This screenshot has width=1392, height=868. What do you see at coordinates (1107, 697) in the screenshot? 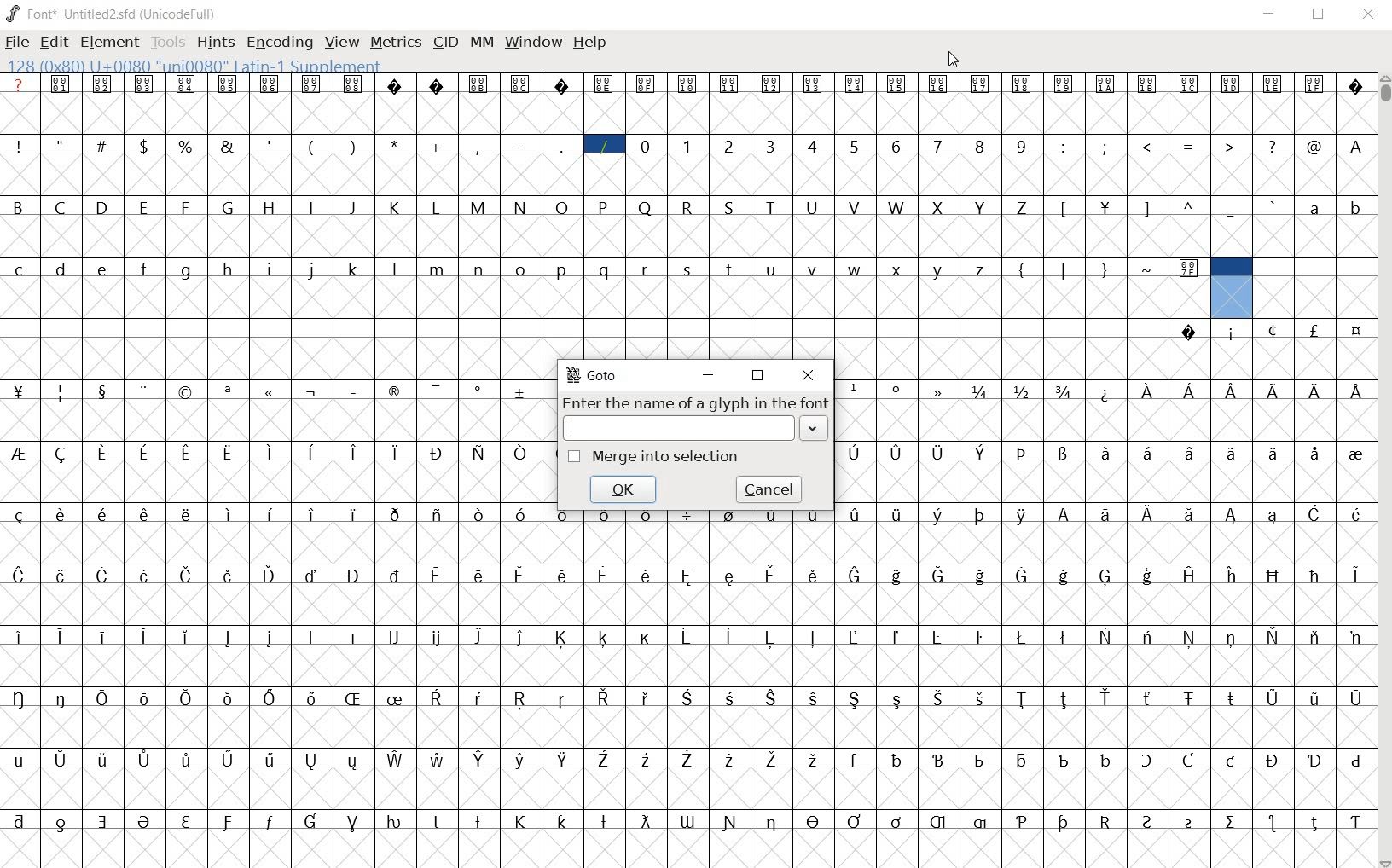
I see `Symbol` at bounding box center [1107, 697].